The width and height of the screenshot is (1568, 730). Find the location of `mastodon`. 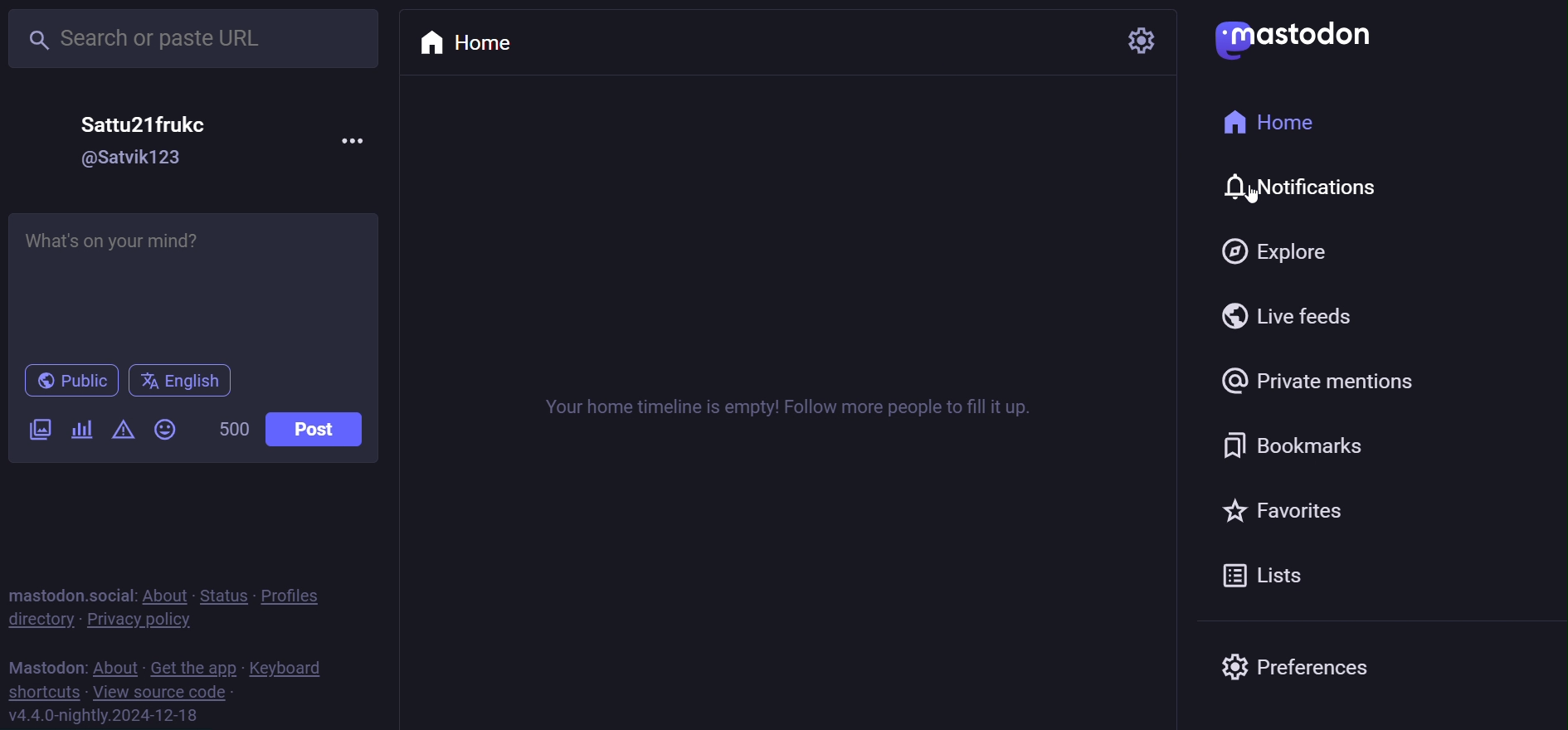

mastodon is located at coordinates (1292, 38).